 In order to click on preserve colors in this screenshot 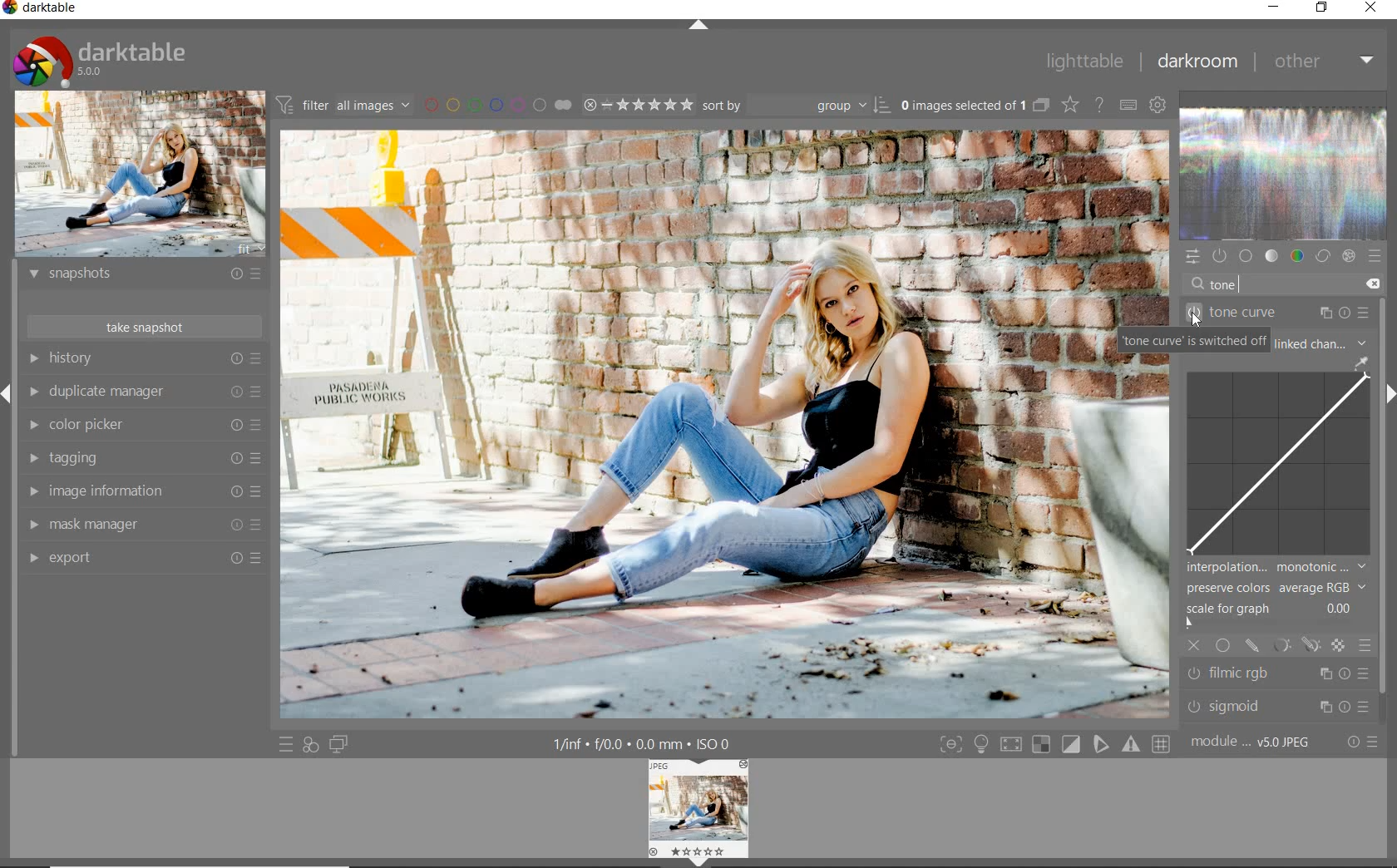, I will do `click(1268, 589)`.